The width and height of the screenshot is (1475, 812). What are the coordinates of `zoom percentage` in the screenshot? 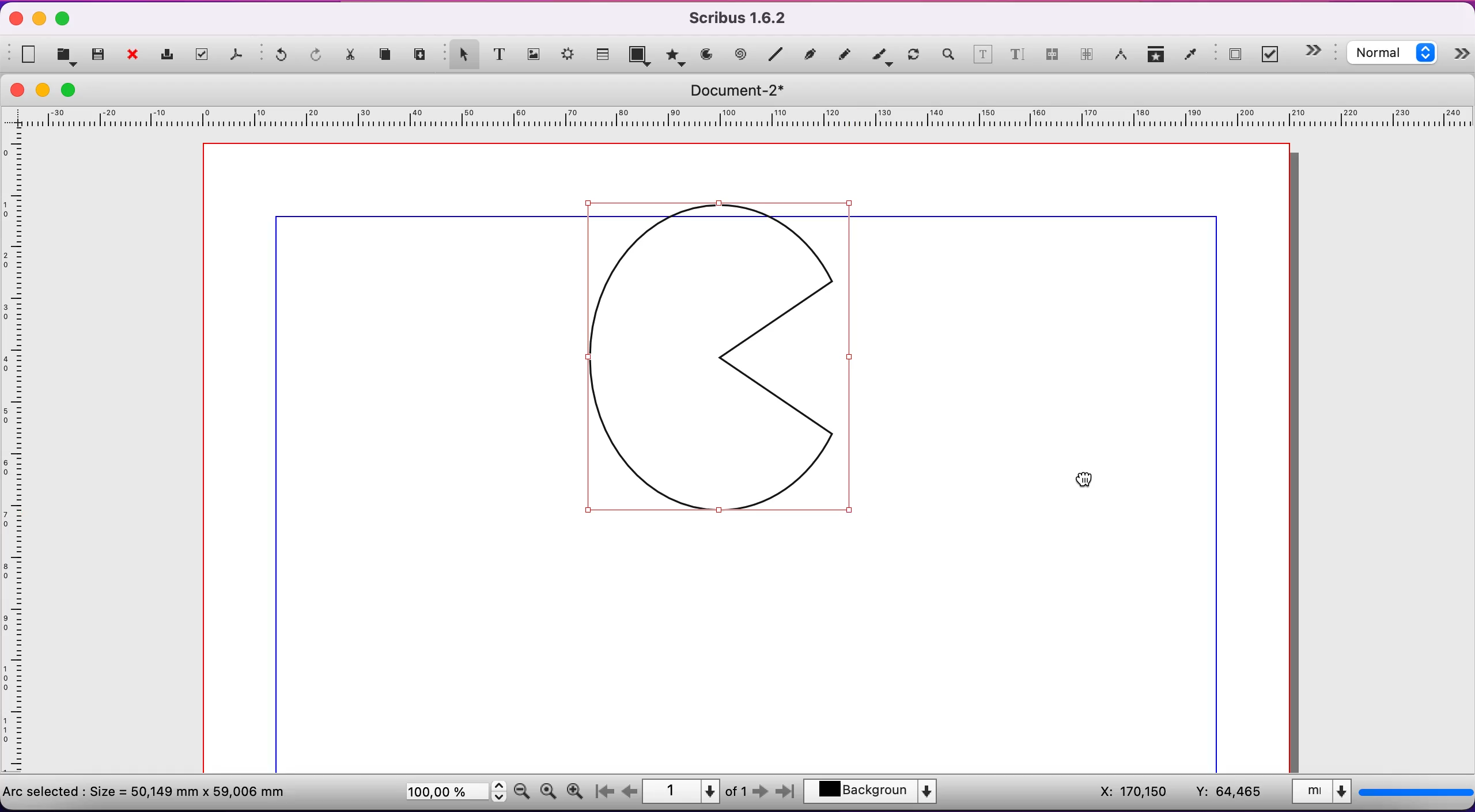 It's located at (453, 794).